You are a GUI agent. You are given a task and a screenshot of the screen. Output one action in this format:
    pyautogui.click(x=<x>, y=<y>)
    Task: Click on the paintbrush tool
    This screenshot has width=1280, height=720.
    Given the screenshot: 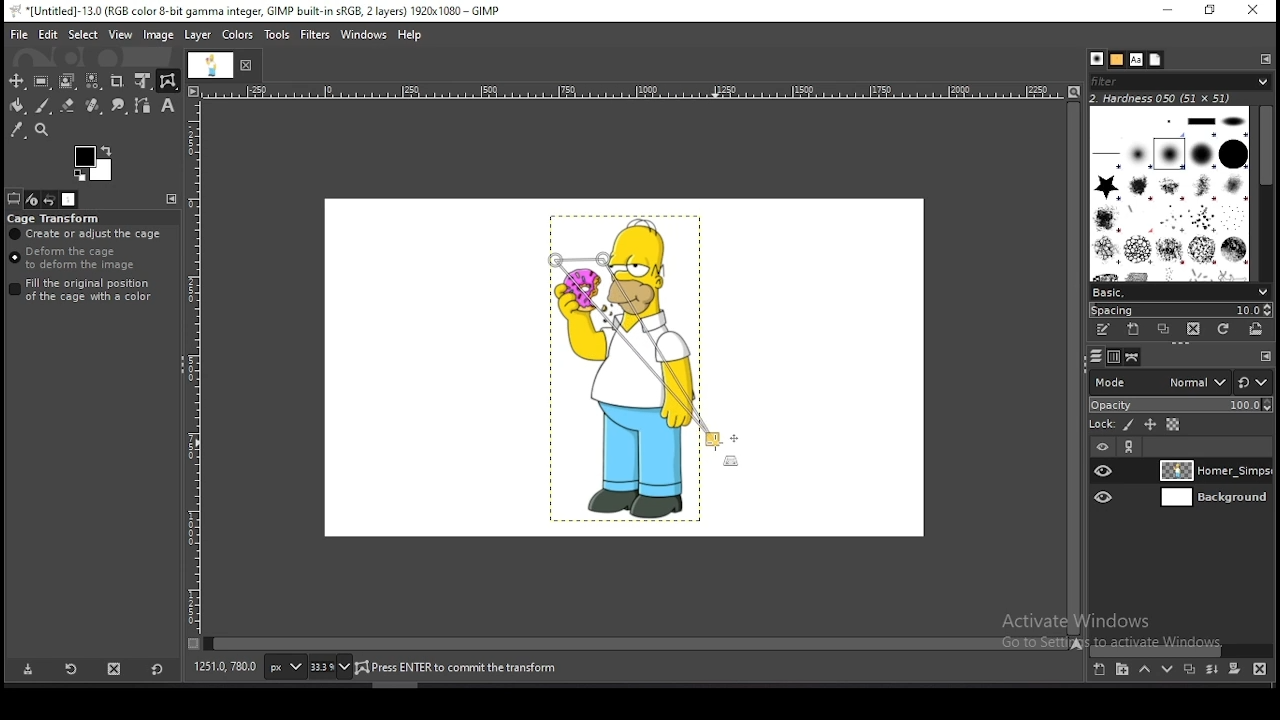 What is the action you would take?
    pyautogui.click(x=42, y=106)
    